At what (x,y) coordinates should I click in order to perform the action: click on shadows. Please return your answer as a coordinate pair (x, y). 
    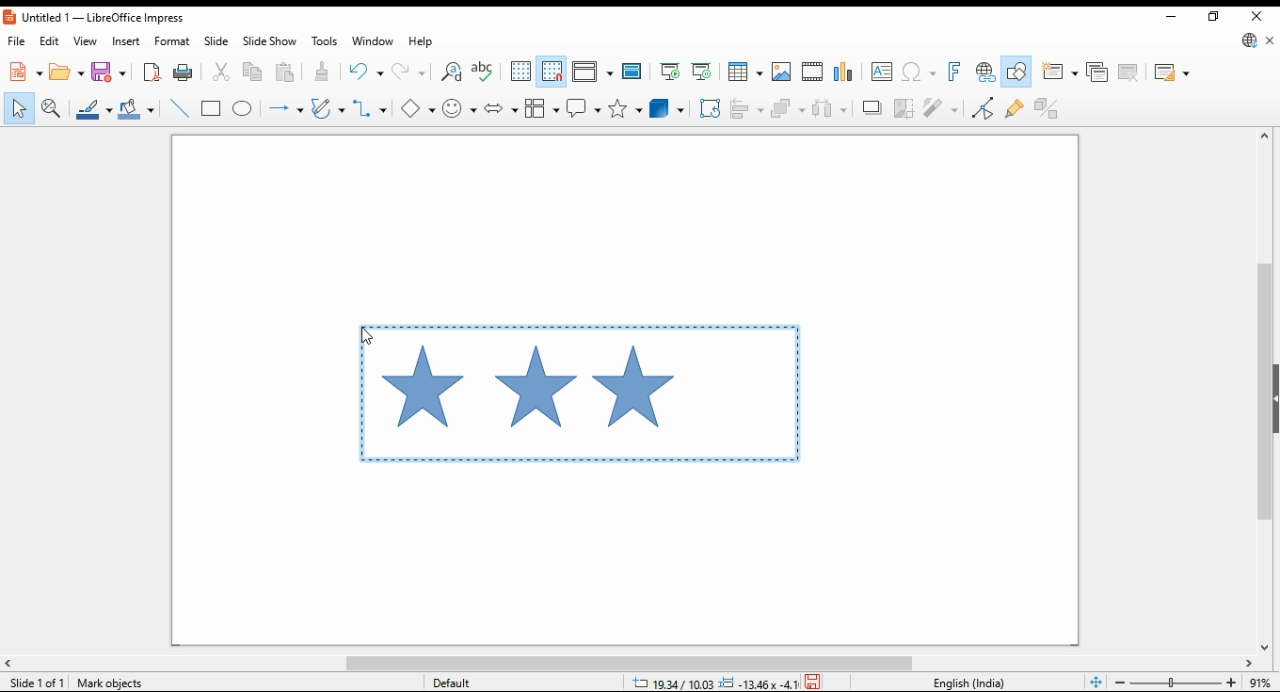
    Looking at the image, I should click on (872, 108).